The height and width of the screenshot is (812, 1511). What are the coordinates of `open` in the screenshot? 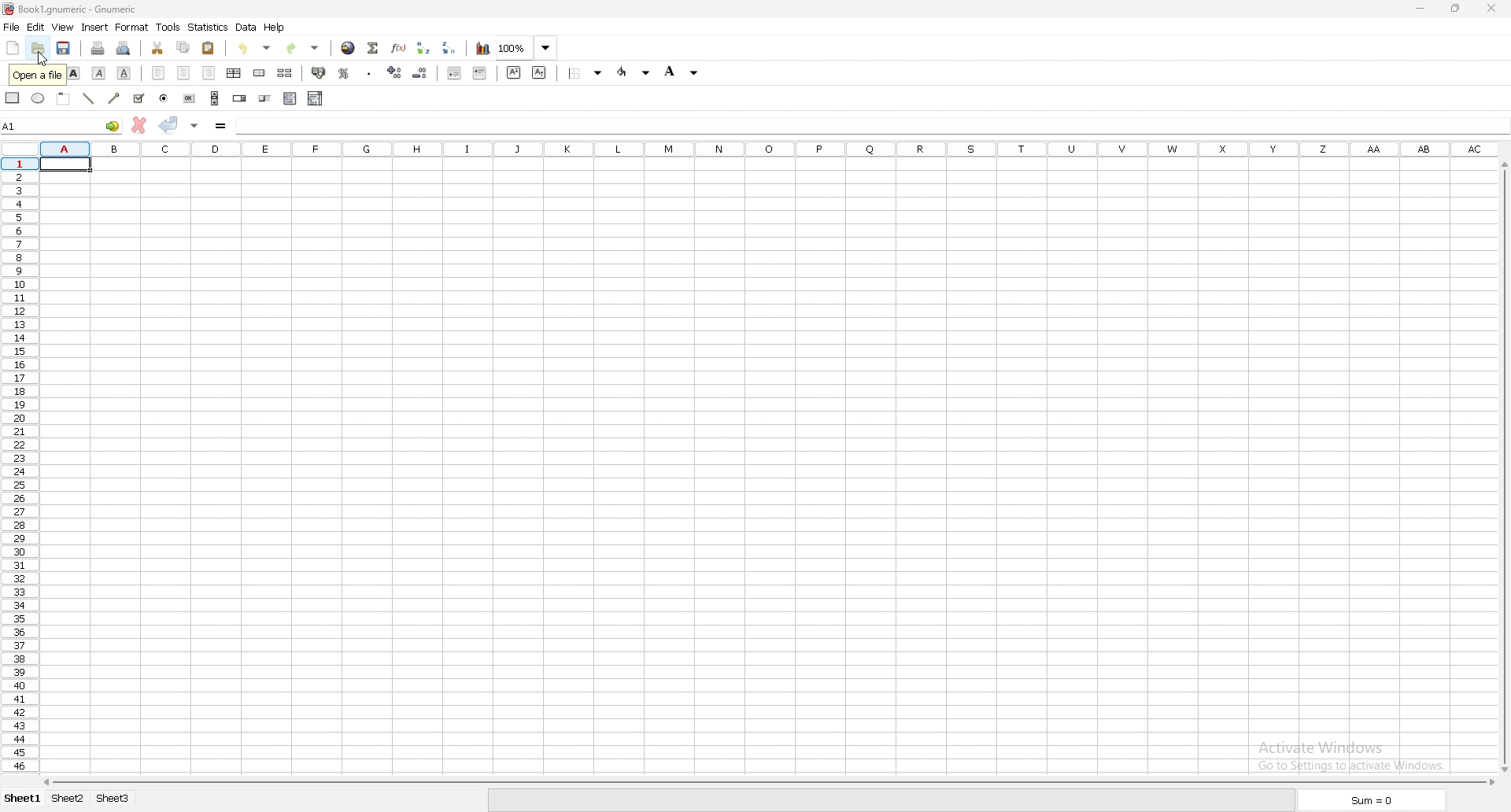 It's located at (39, 48).